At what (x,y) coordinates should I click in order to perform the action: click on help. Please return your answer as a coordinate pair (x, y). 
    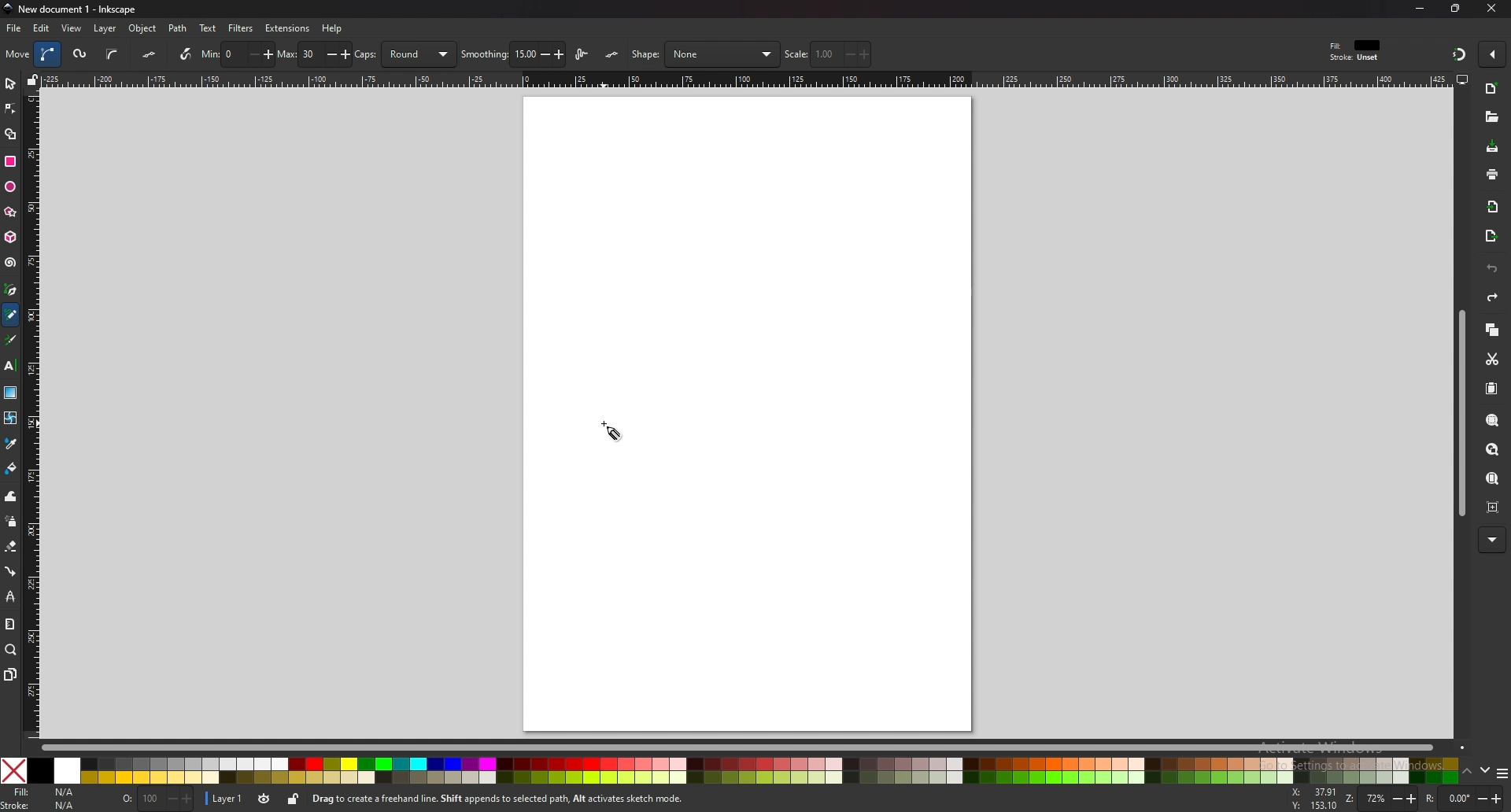
    Looking at the image, I should click on (333, 28).